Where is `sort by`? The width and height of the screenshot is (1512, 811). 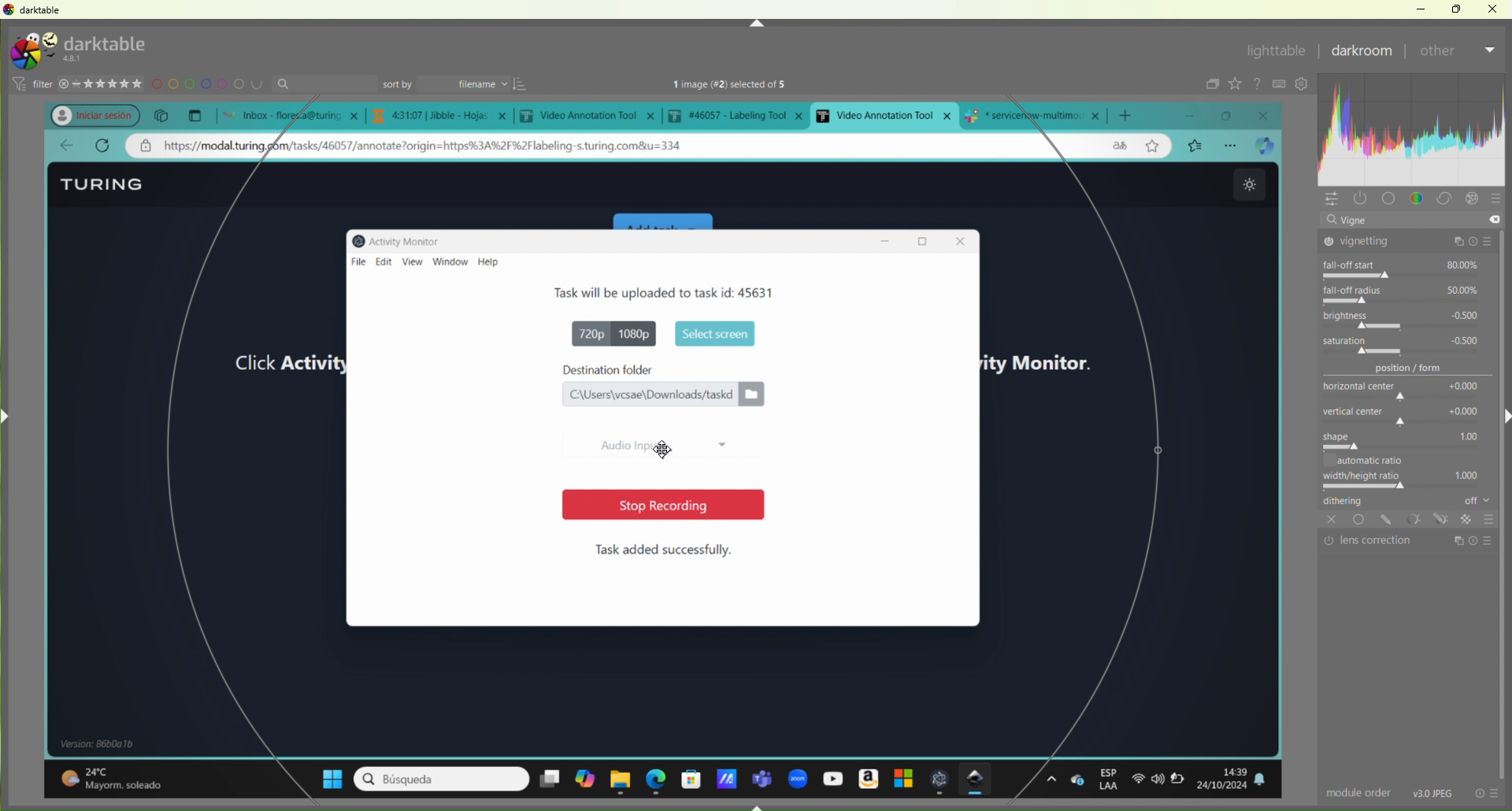 sort by is located at coordinates (454, 83).